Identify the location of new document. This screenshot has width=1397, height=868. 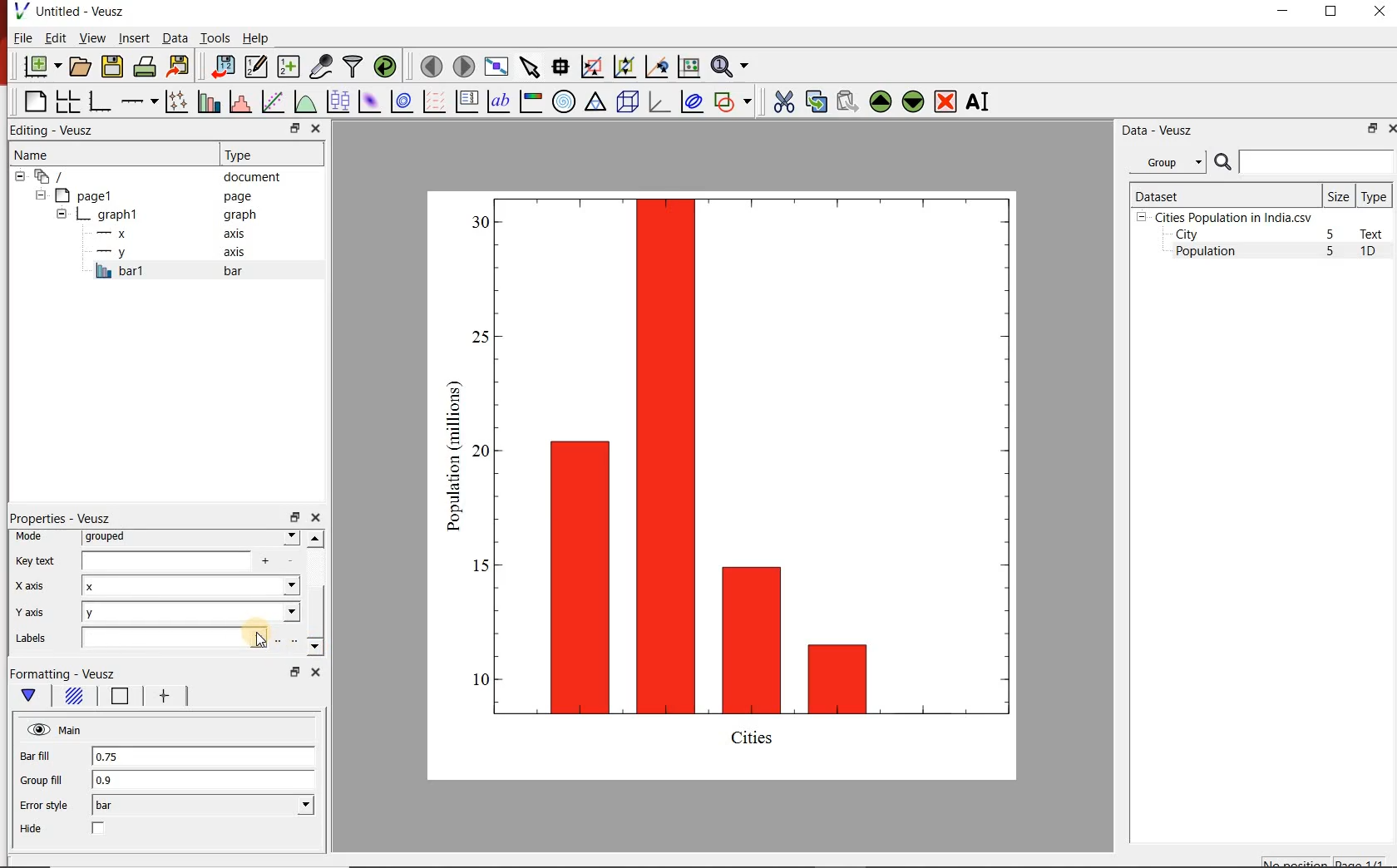
(39, 67).